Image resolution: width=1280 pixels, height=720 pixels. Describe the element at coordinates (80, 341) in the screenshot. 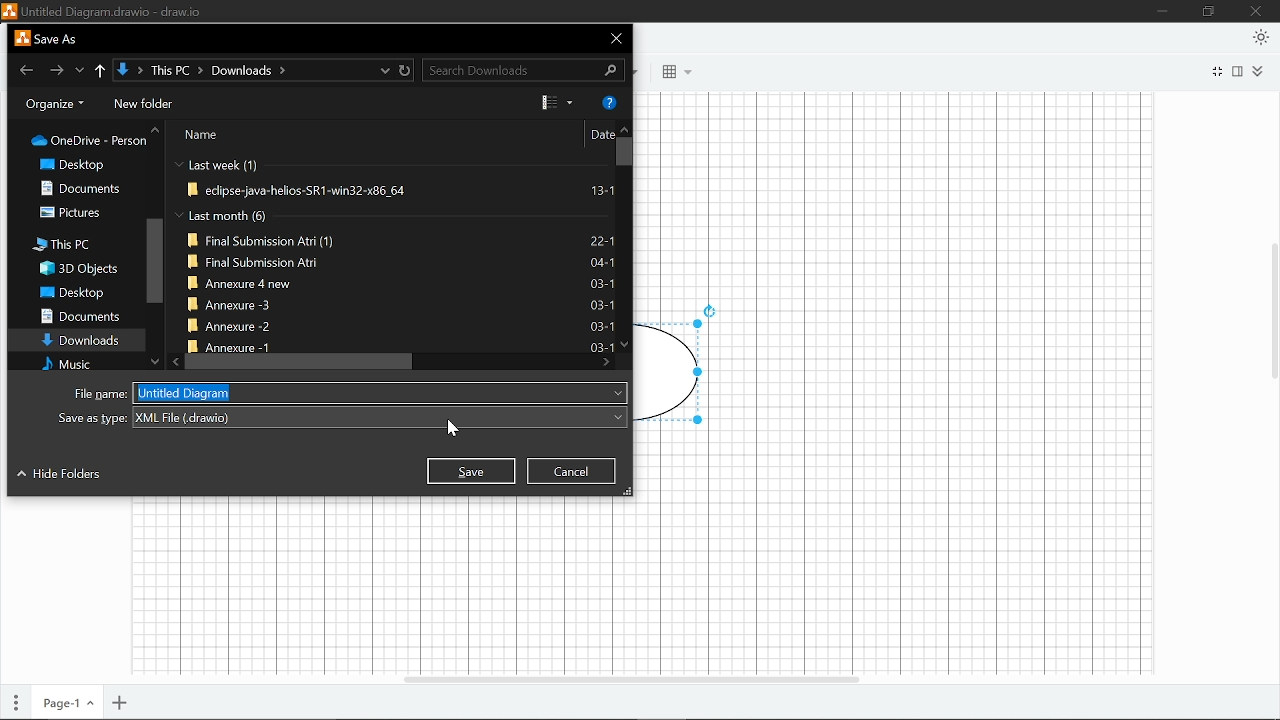

I see `Downloads` at that location.